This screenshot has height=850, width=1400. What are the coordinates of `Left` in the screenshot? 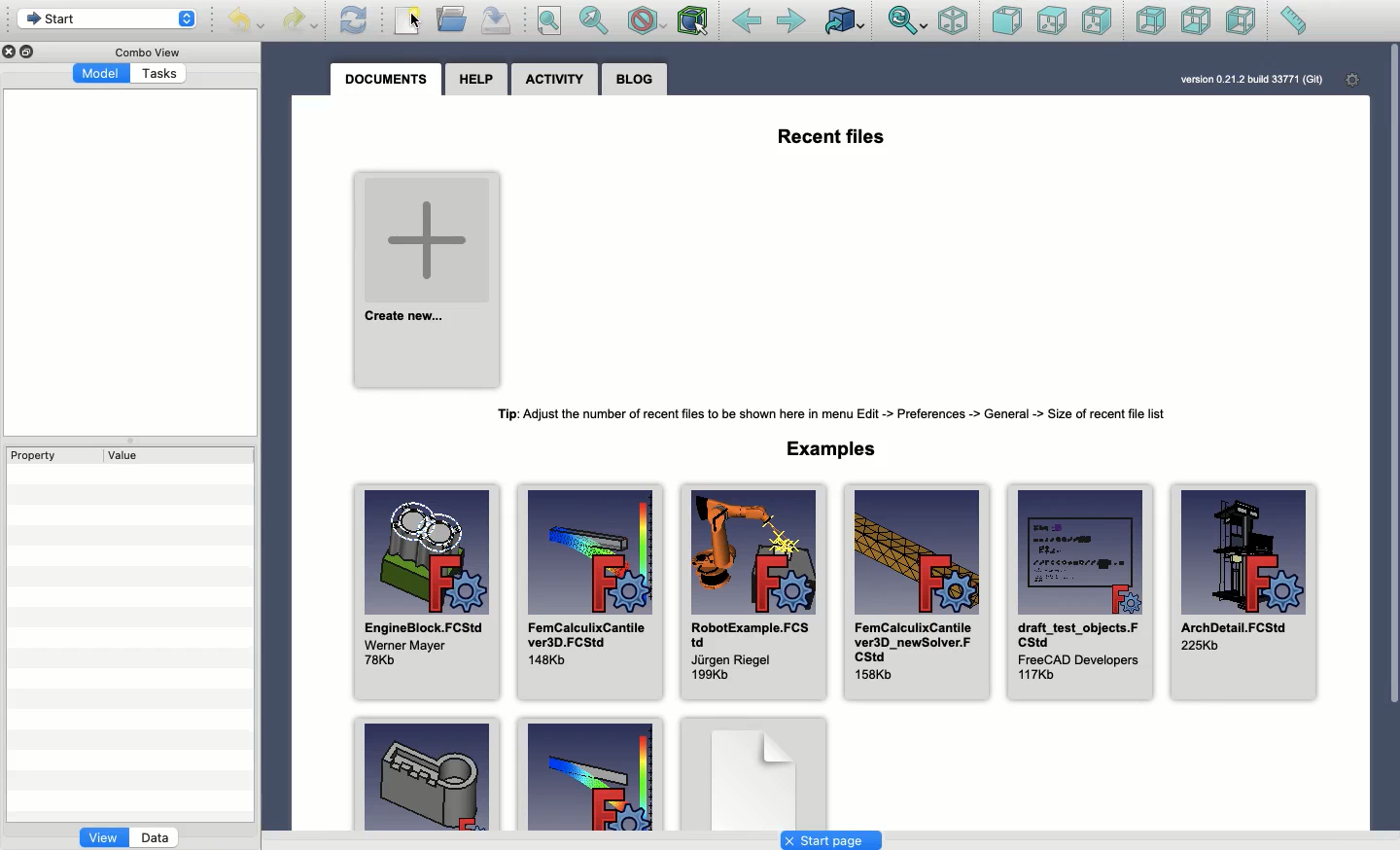 It's located at (1242, 22).